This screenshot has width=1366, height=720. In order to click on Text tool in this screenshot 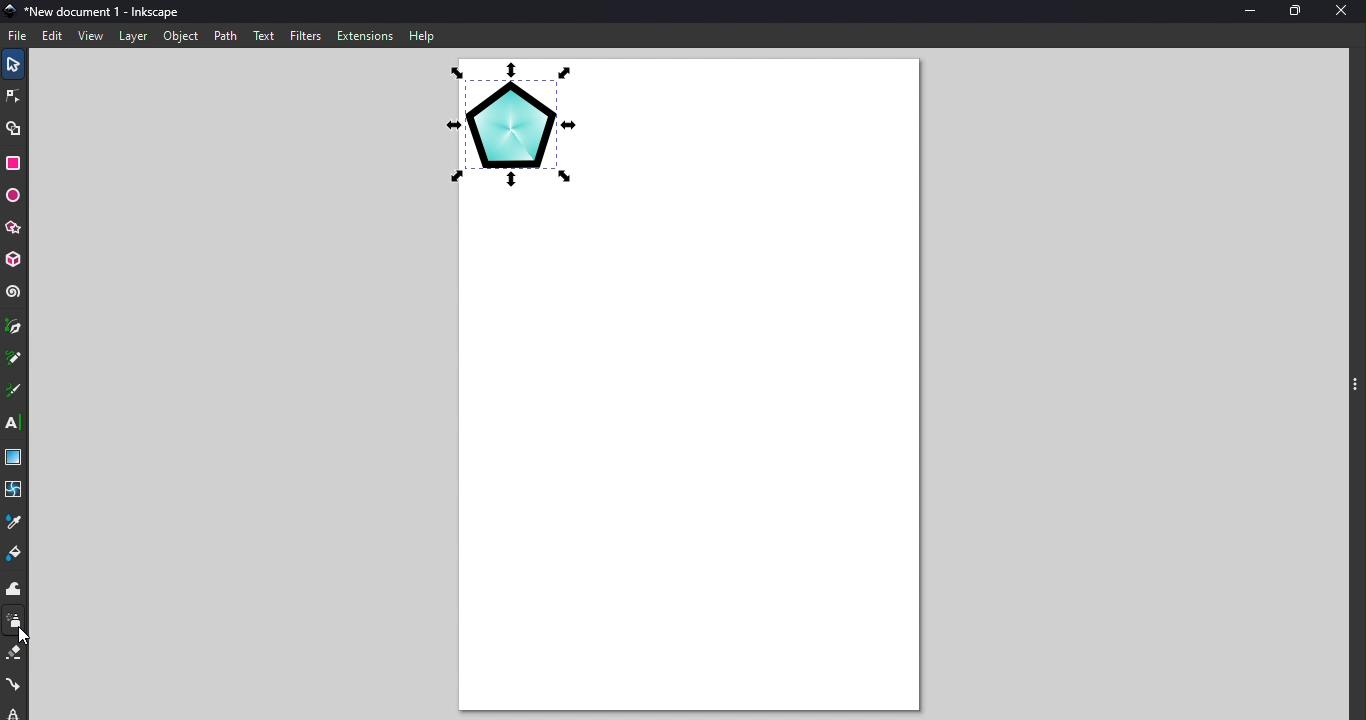, I will do `click(13, 421)`.